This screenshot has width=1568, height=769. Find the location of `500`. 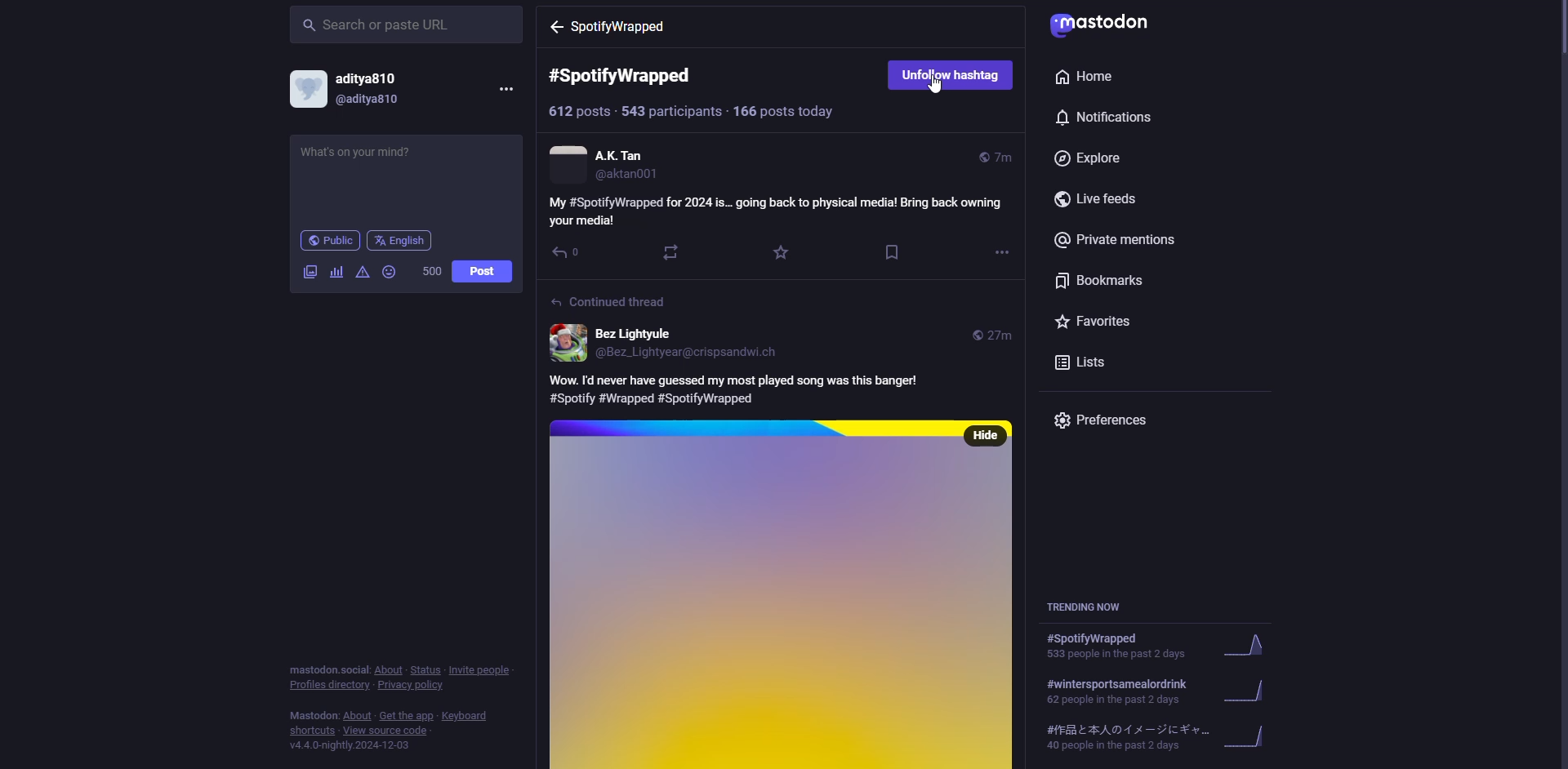

500 is located at coordinates (432, 271).